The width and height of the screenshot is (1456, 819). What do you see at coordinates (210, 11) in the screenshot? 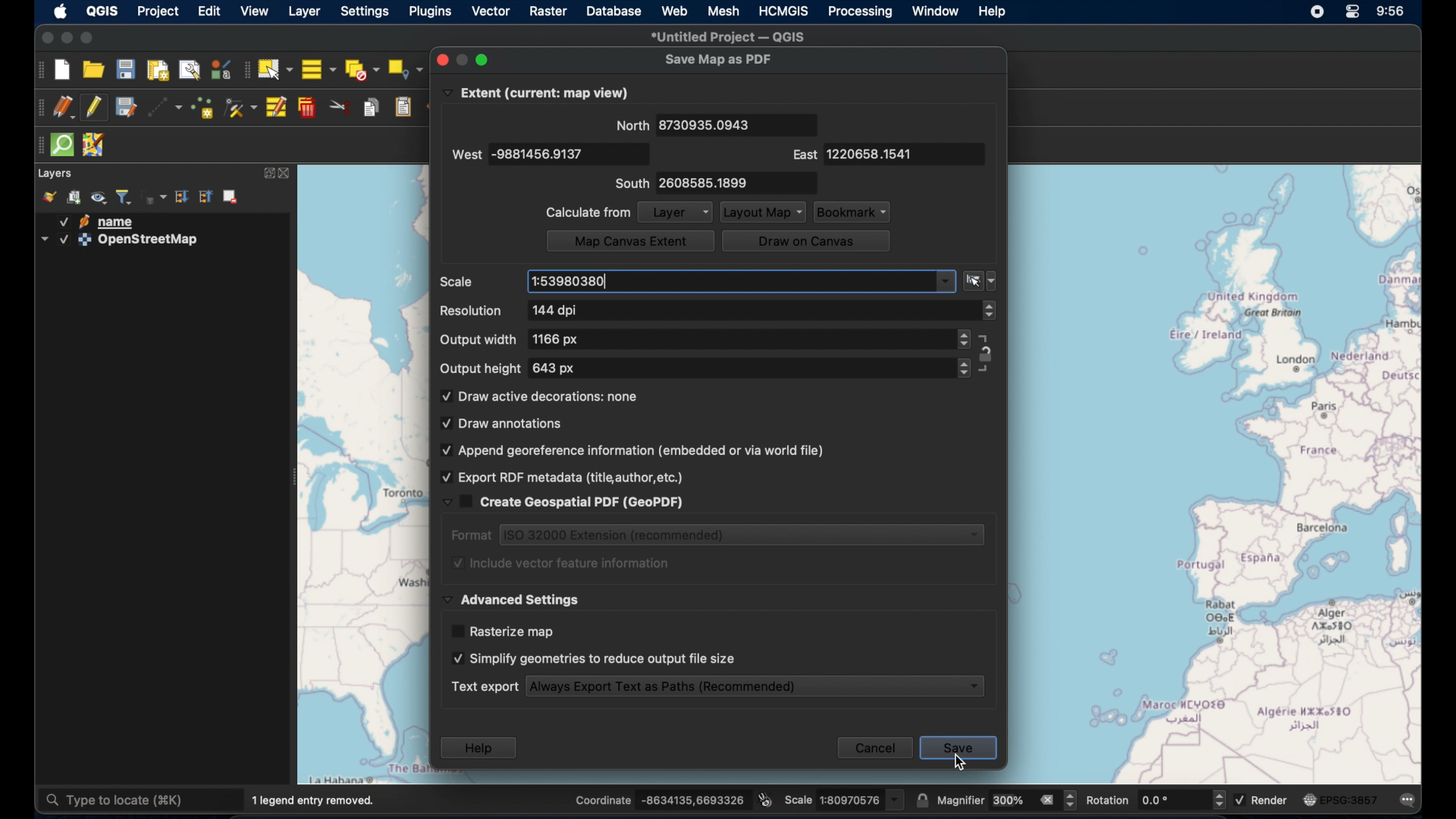
I see `edit` at bounding box center [210, 11].